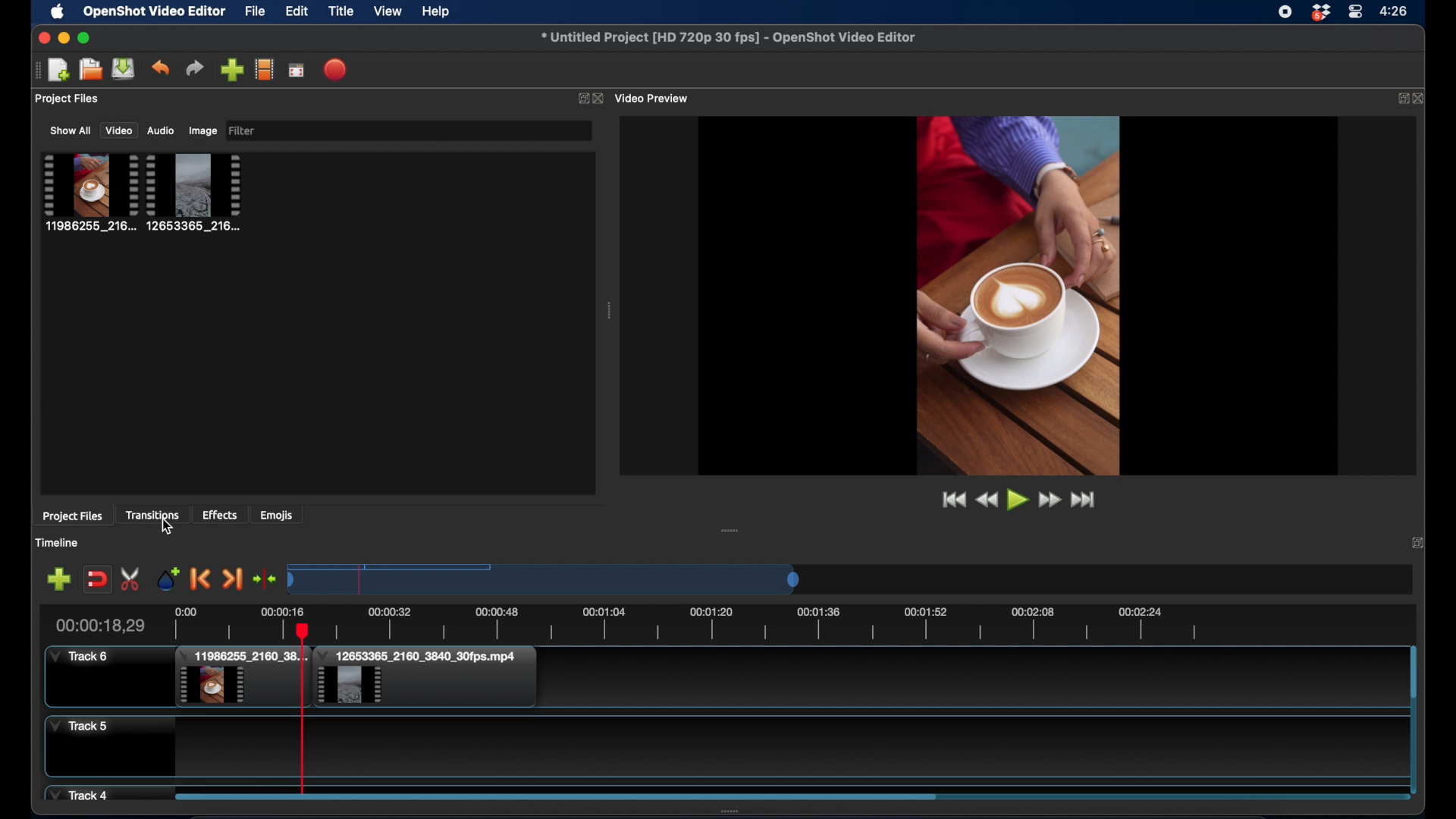 This screenshot has width=1456, height=819. Describe the element at coordinates (124, 69) in the screenshot. I see `save project` at that location.